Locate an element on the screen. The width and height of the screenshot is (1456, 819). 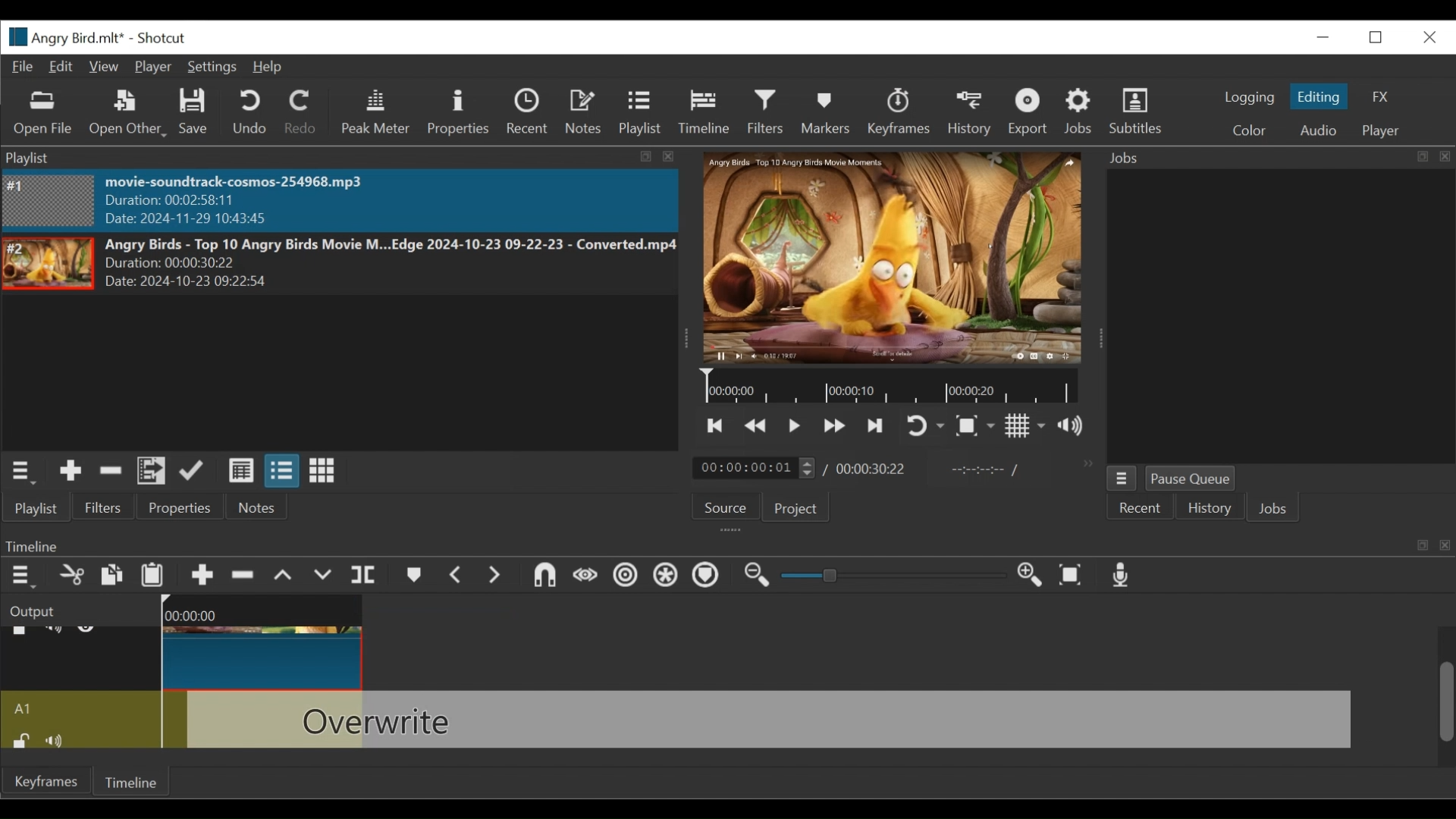
Recent is located at coordinates (1136, 510).